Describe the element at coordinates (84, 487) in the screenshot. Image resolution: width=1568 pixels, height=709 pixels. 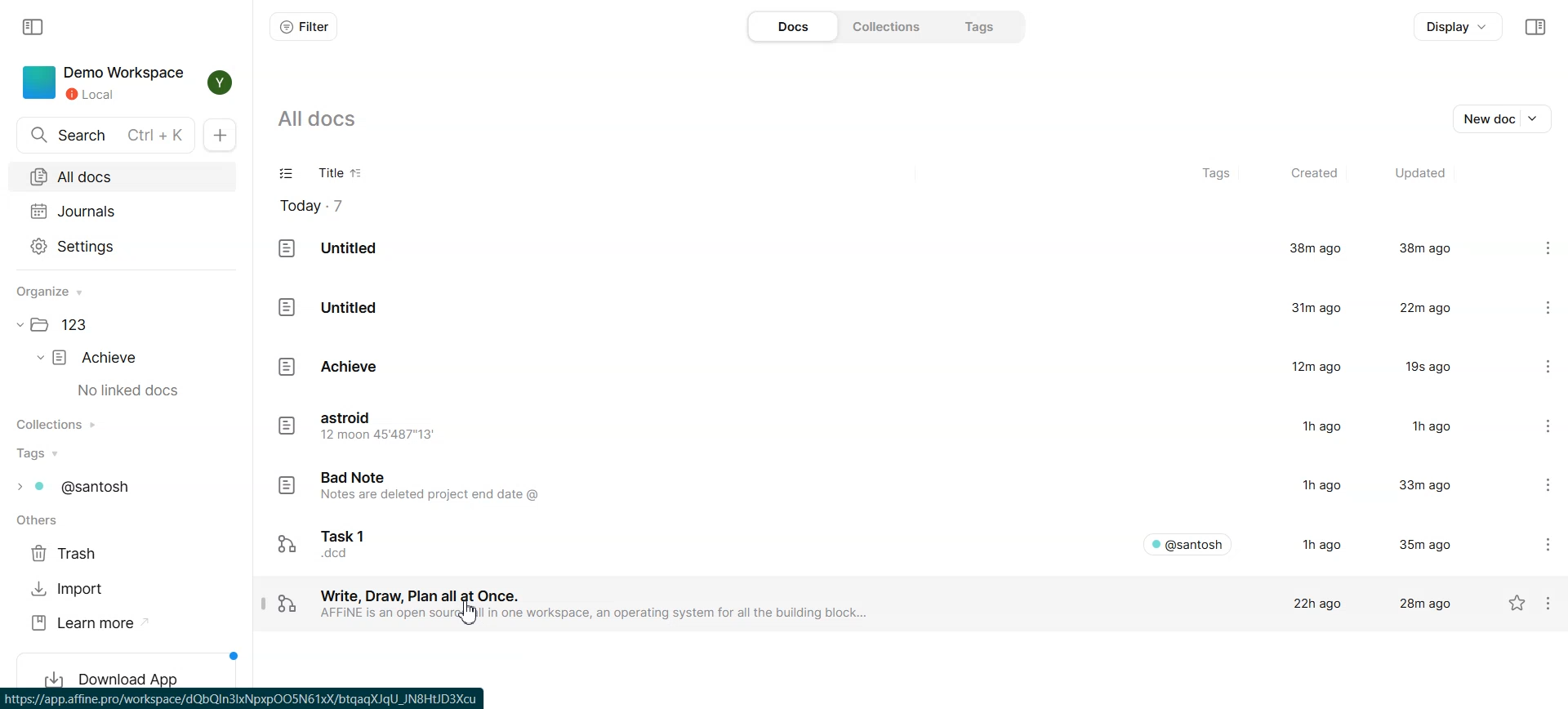
I see `Tags ` at that location.